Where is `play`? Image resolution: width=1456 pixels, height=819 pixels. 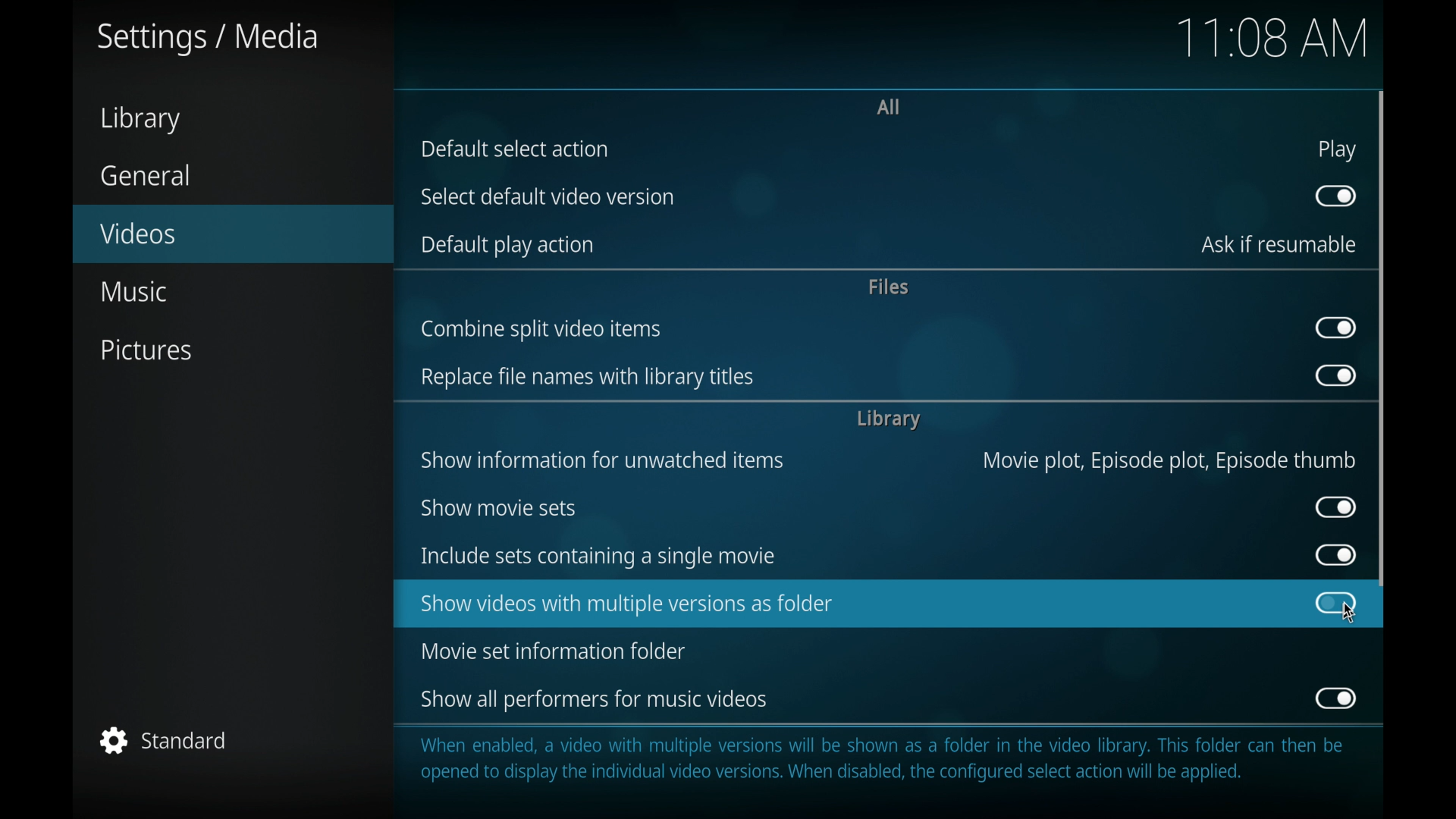
play is located at coordinates (1338, 152).